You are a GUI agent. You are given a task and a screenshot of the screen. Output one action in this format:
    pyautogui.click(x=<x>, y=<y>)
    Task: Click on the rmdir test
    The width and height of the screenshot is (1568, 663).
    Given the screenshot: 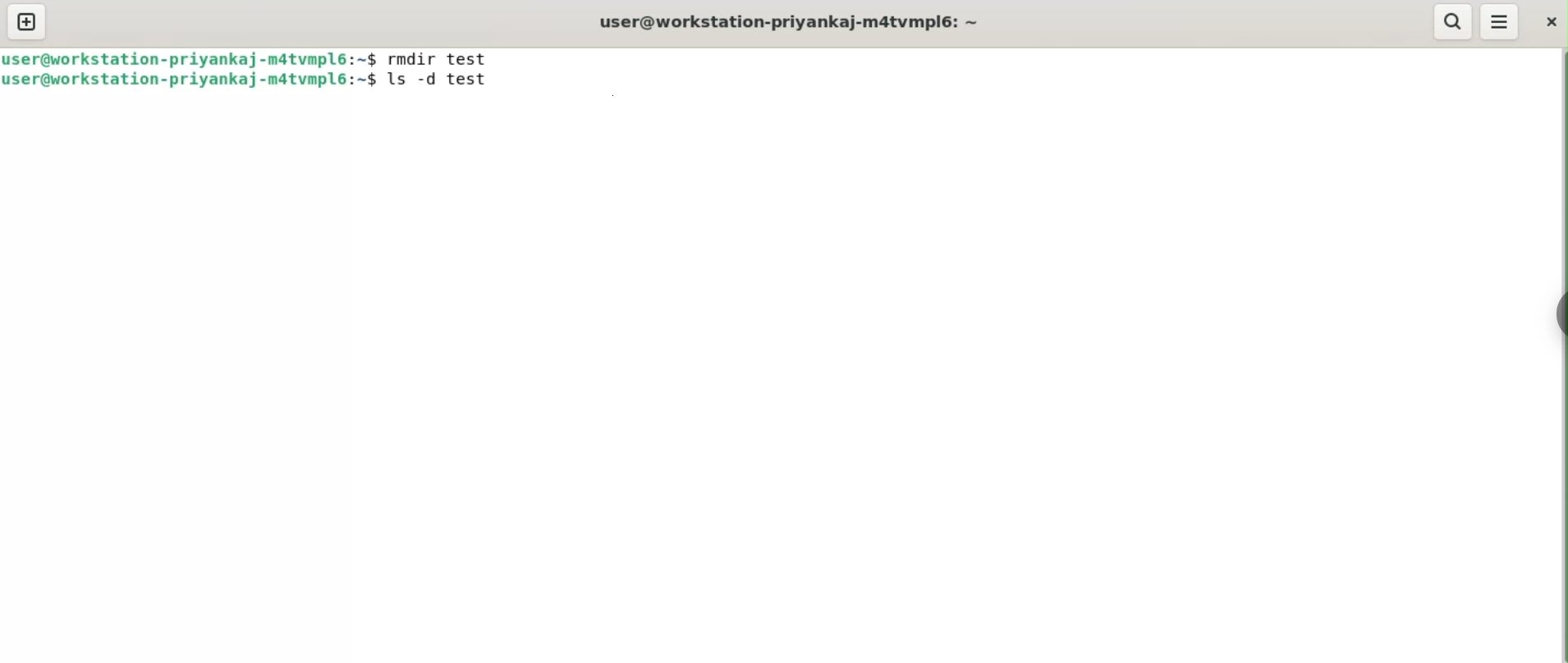 What is the action you would take?
    pyautogui.click(x=447, y=59)
    